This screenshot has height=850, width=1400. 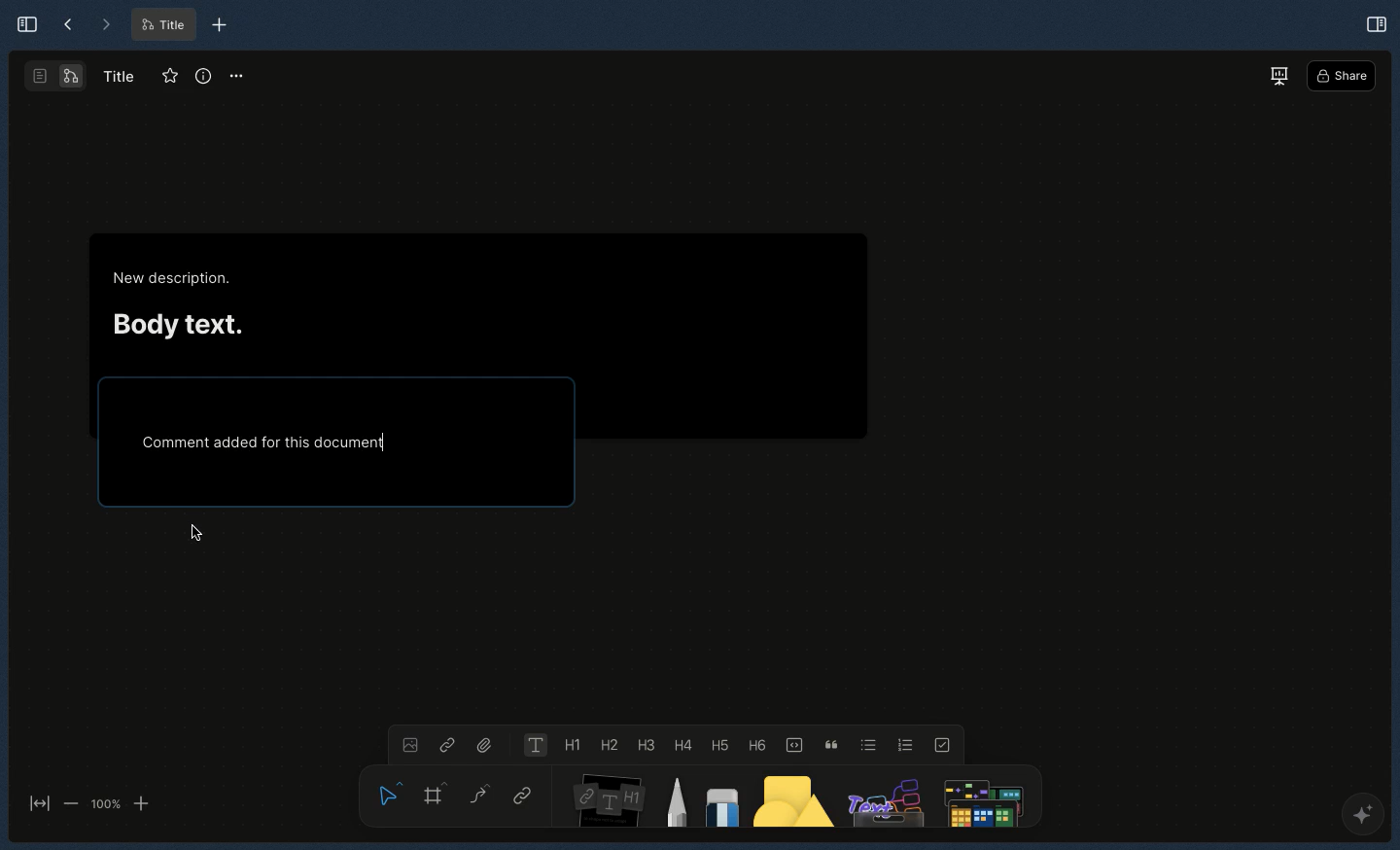 I want to click on Quote, so click(x=828, y=743).